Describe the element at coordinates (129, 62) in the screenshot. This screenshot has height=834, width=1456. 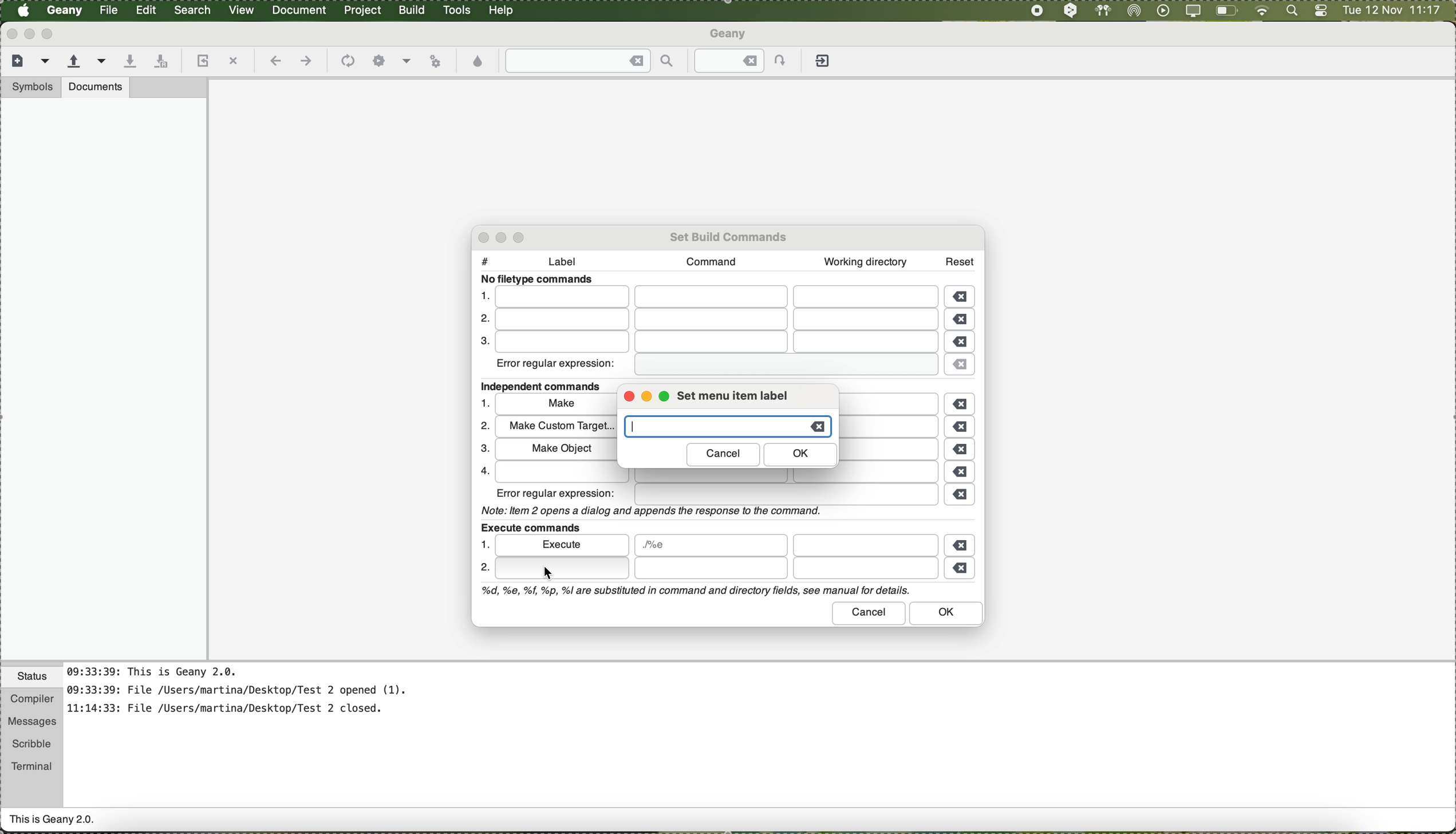
I see `save the current file` at that location.